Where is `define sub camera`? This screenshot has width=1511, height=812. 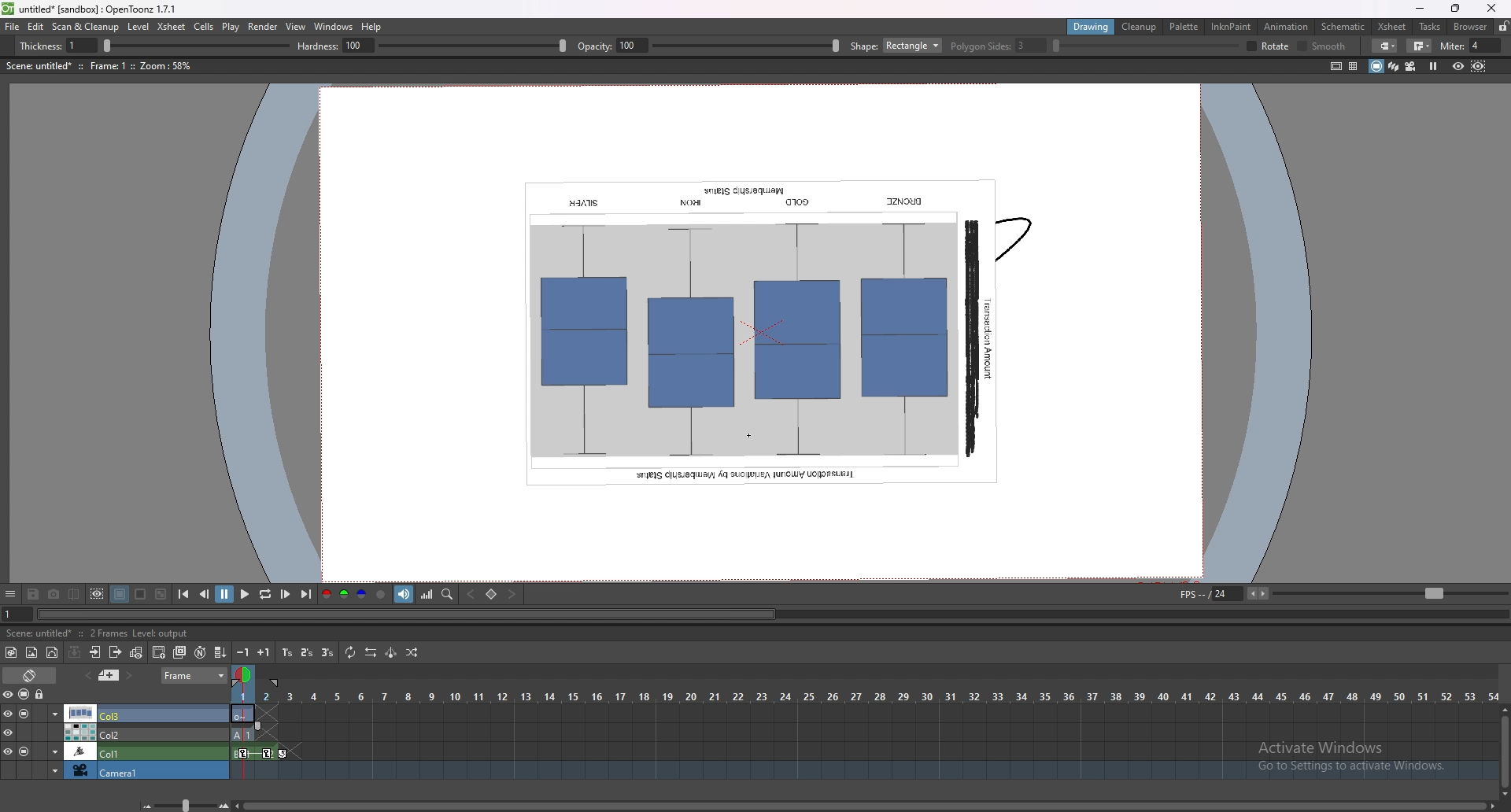 define sub camera is located at coordinates (97, 594).